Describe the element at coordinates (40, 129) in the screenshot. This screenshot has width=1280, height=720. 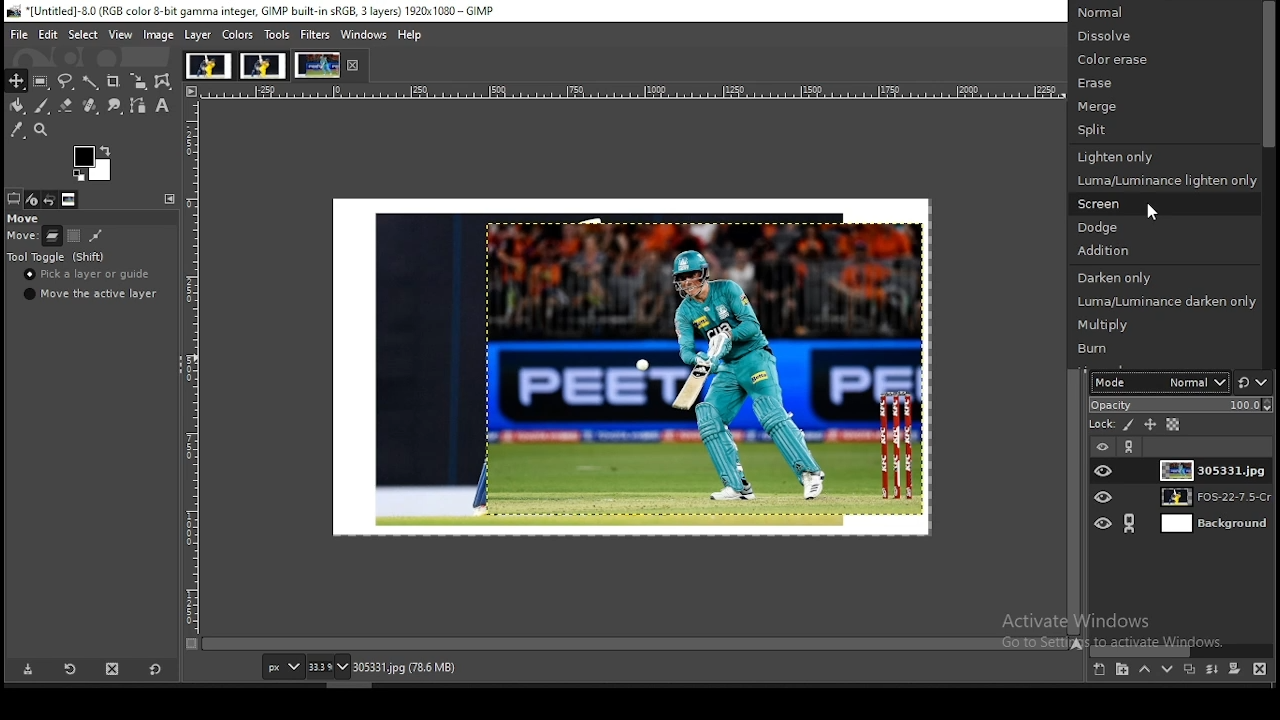
I see `zoom tool` at that location.